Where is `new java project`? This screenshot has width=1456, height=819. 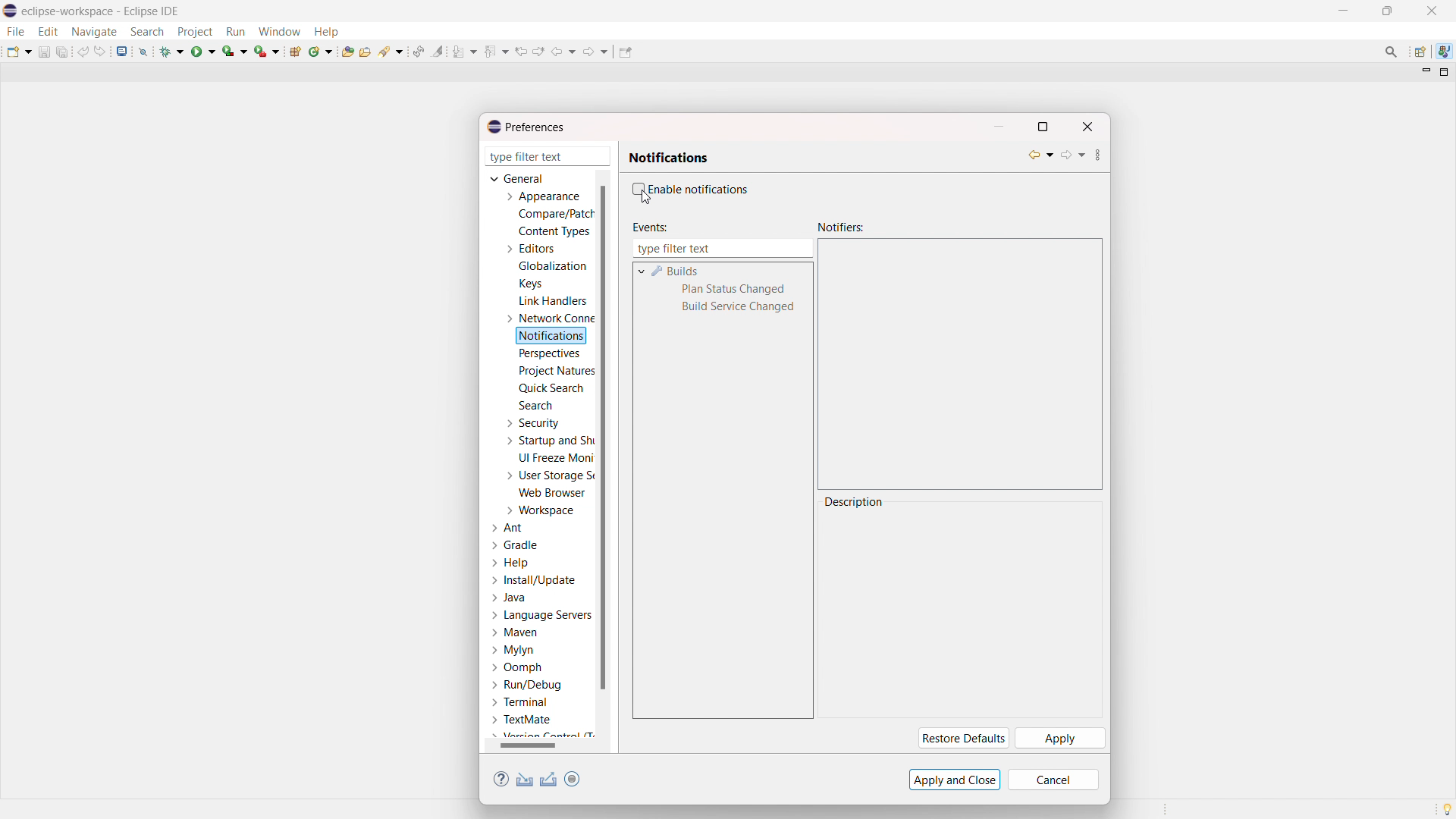 new java project is located at coordinates (297, 52).